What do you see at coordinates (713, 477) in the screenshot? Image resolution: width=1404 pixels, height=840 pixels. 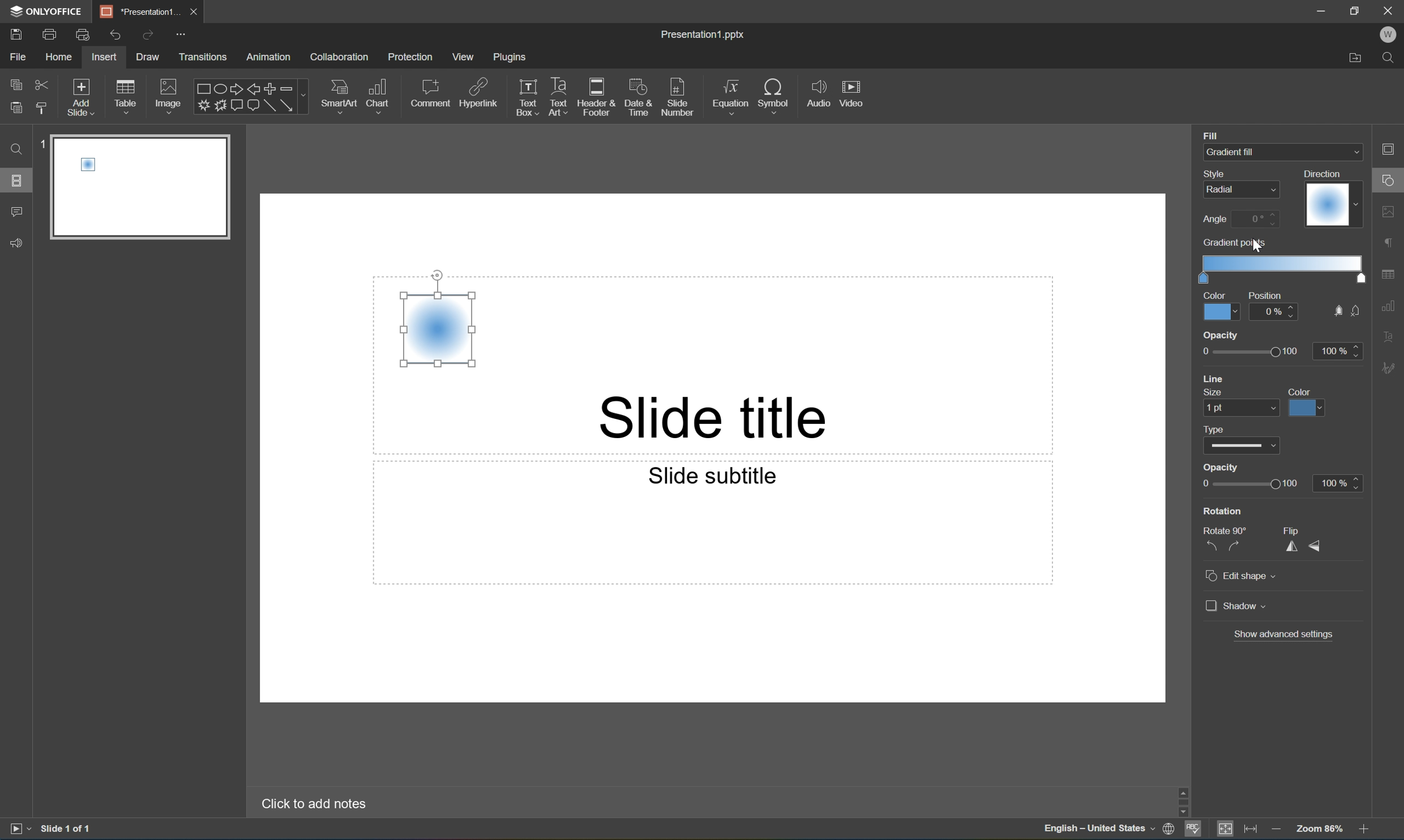 I see `Slide subtitle` at bounding box center [713, 477].